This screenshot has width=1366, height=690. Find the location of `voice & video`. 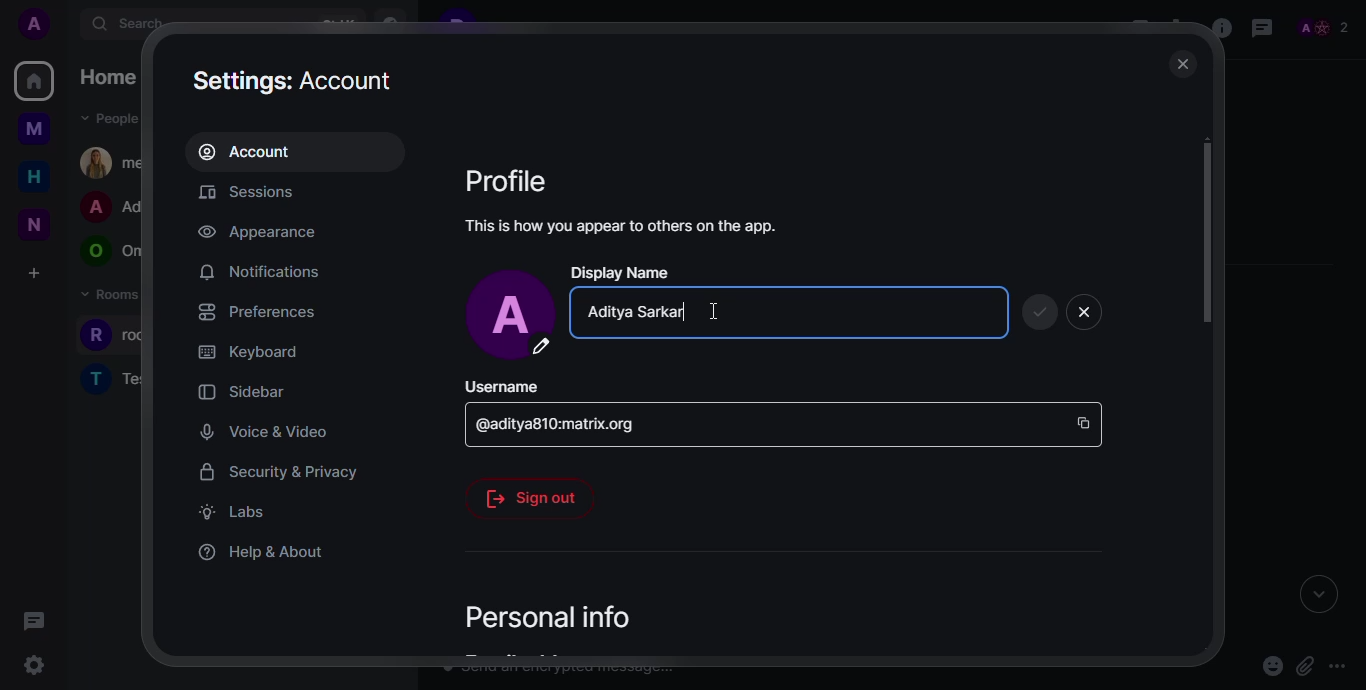

voice & video is located at coordinates (258, 431).